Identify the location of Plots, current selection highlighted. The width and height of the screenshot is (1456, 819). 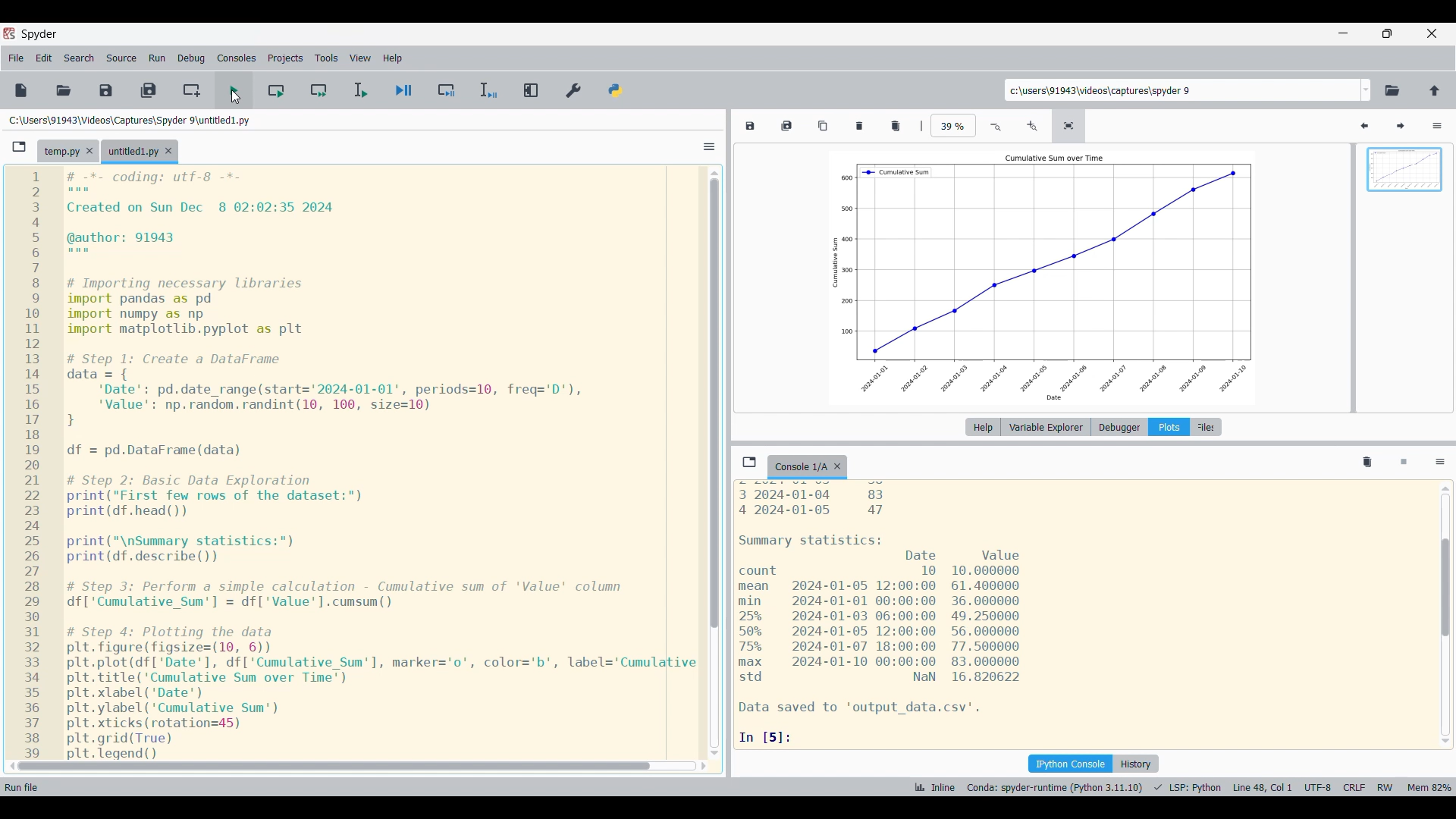
(1170, 427).